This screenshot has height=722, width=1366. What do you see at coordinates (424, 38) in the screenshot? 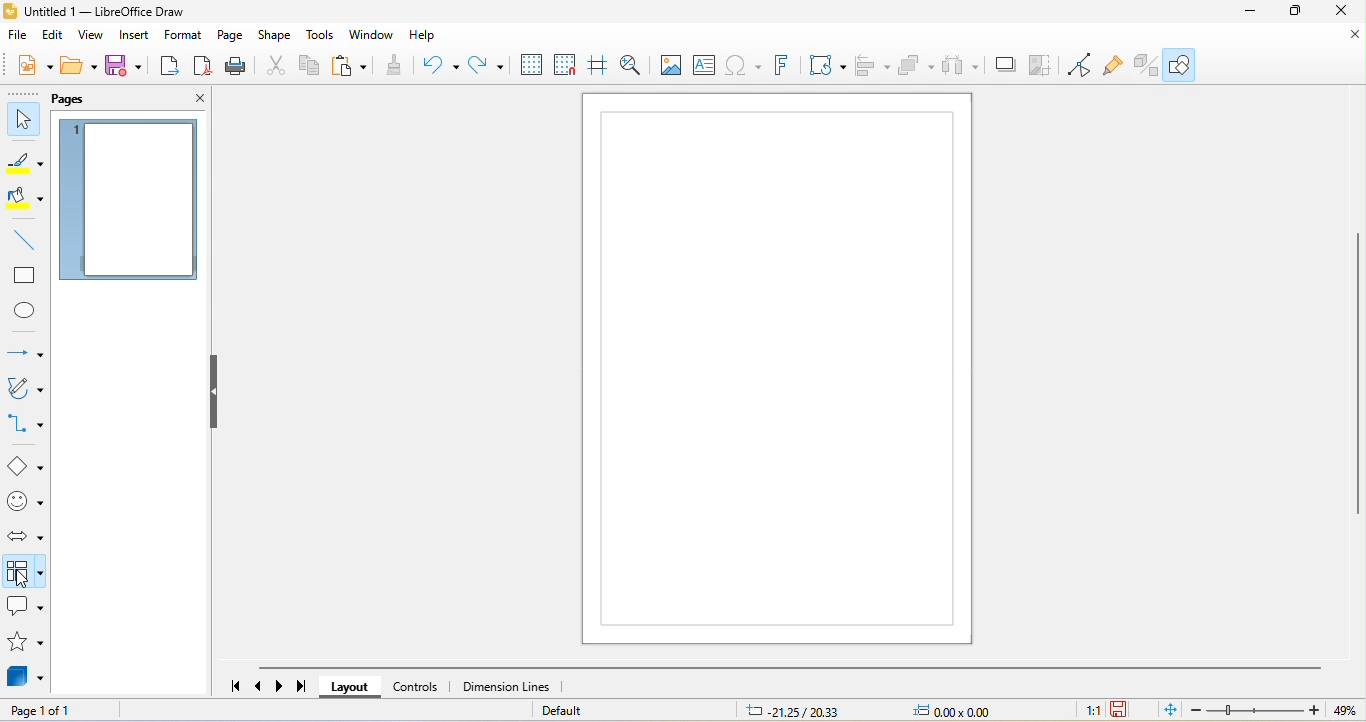
I see `help` at bounding box center [424, 38].